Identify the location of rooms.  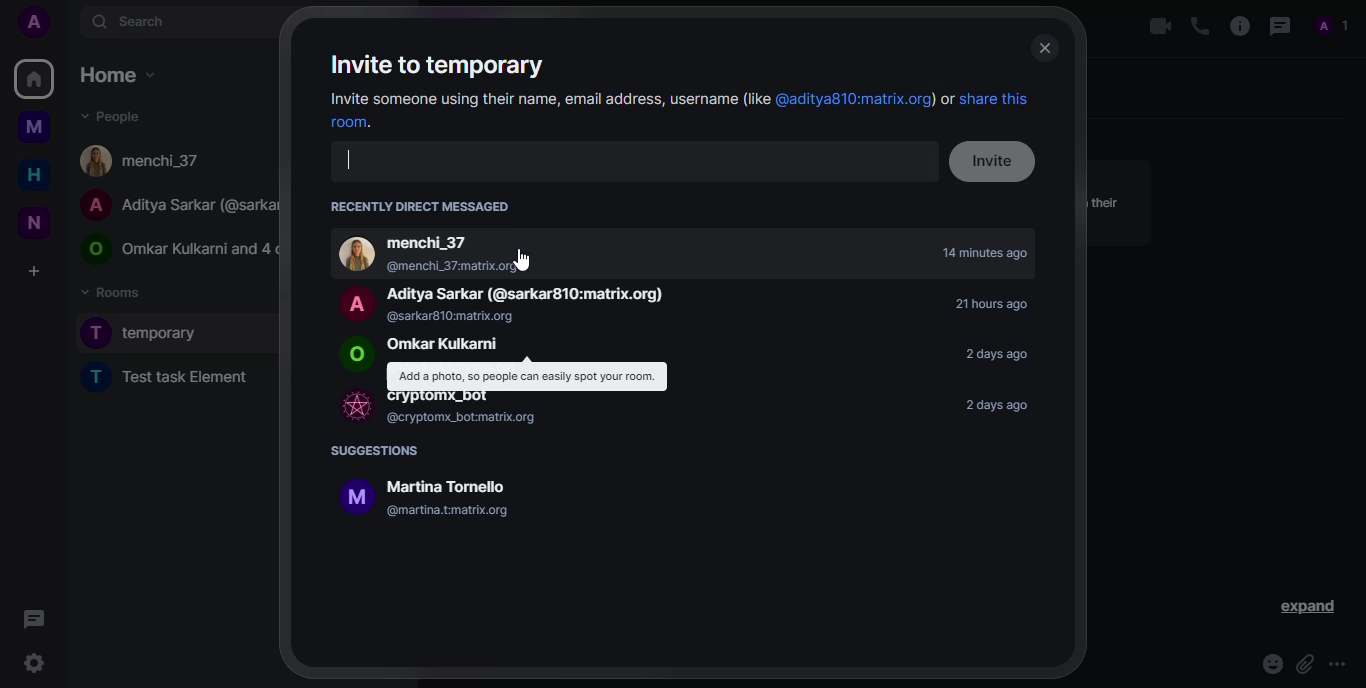
(115, 291).